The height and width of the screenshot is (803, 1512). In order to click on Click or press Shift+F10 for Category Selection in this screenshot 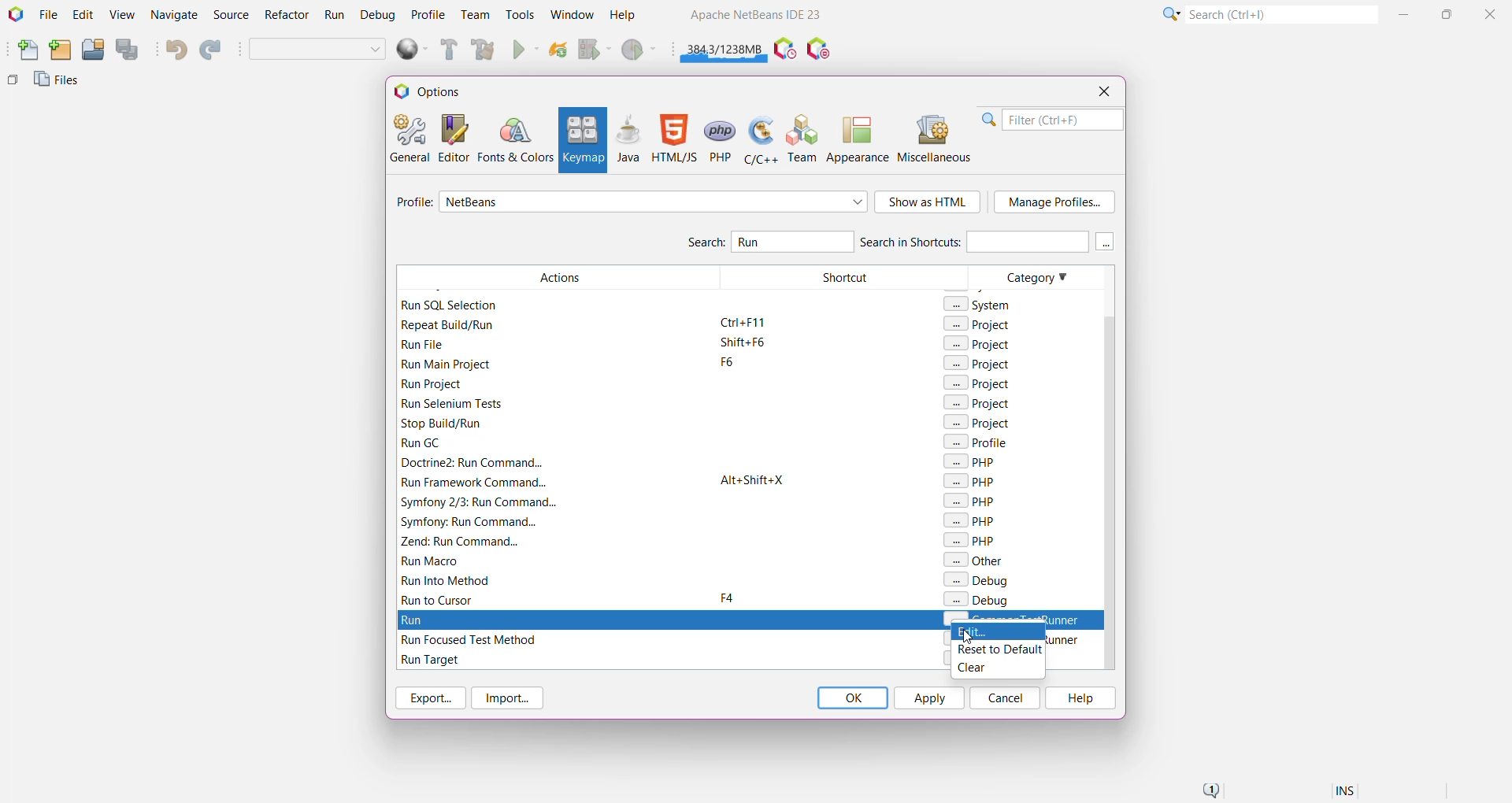, I will do `click(1169, 13)`.